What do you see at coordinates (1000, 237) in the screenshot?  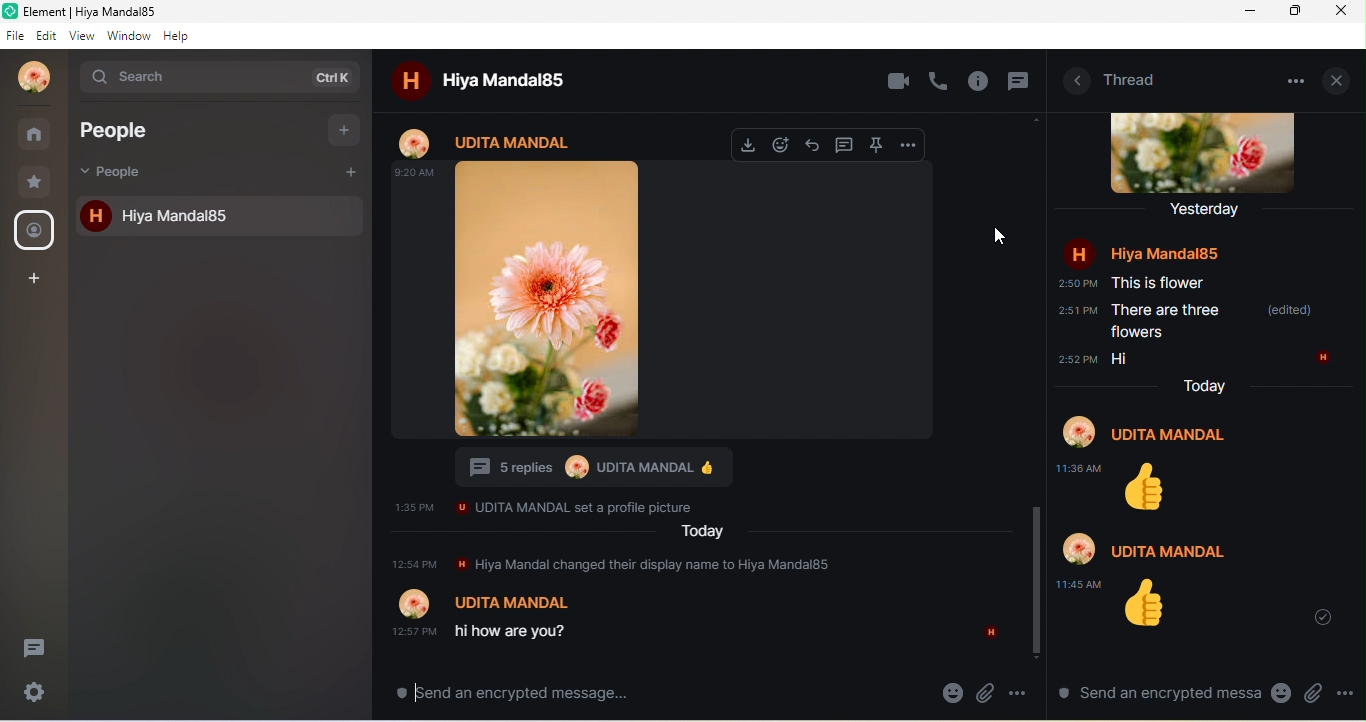 I see `cursor` at bounding box center [1000, 237].